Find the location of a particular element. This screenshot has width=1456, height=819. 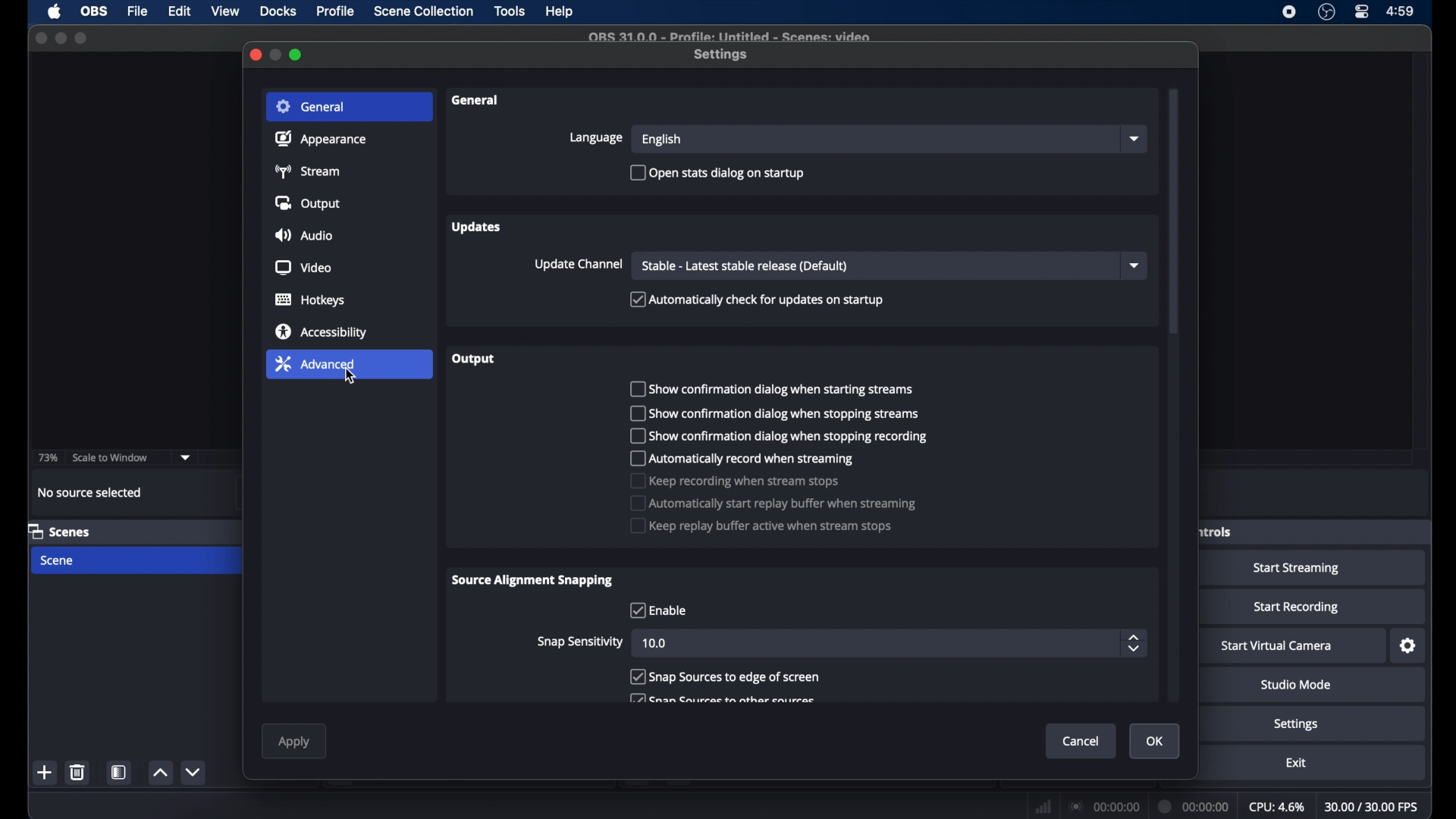

stepper buttons is located at coordinates (1134, 645).